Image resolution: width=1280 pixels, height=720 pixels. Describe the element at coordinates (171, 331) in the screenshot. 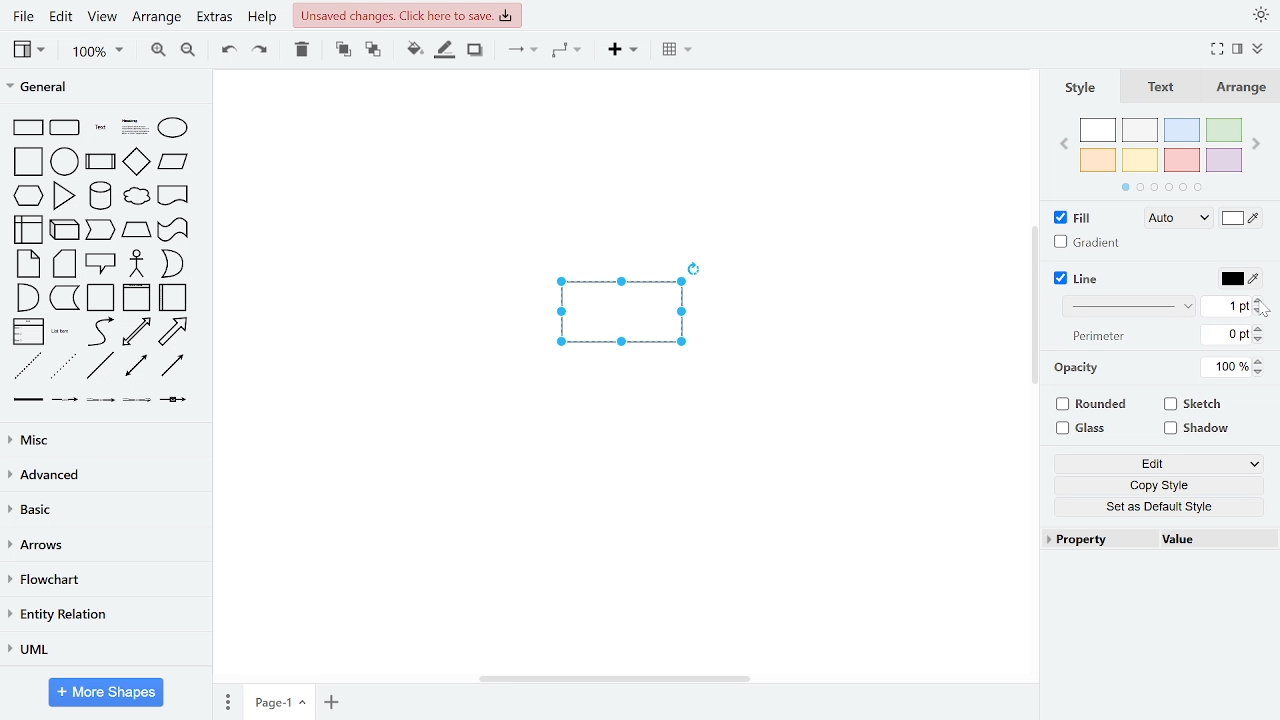

I see `general shapes` at that location.